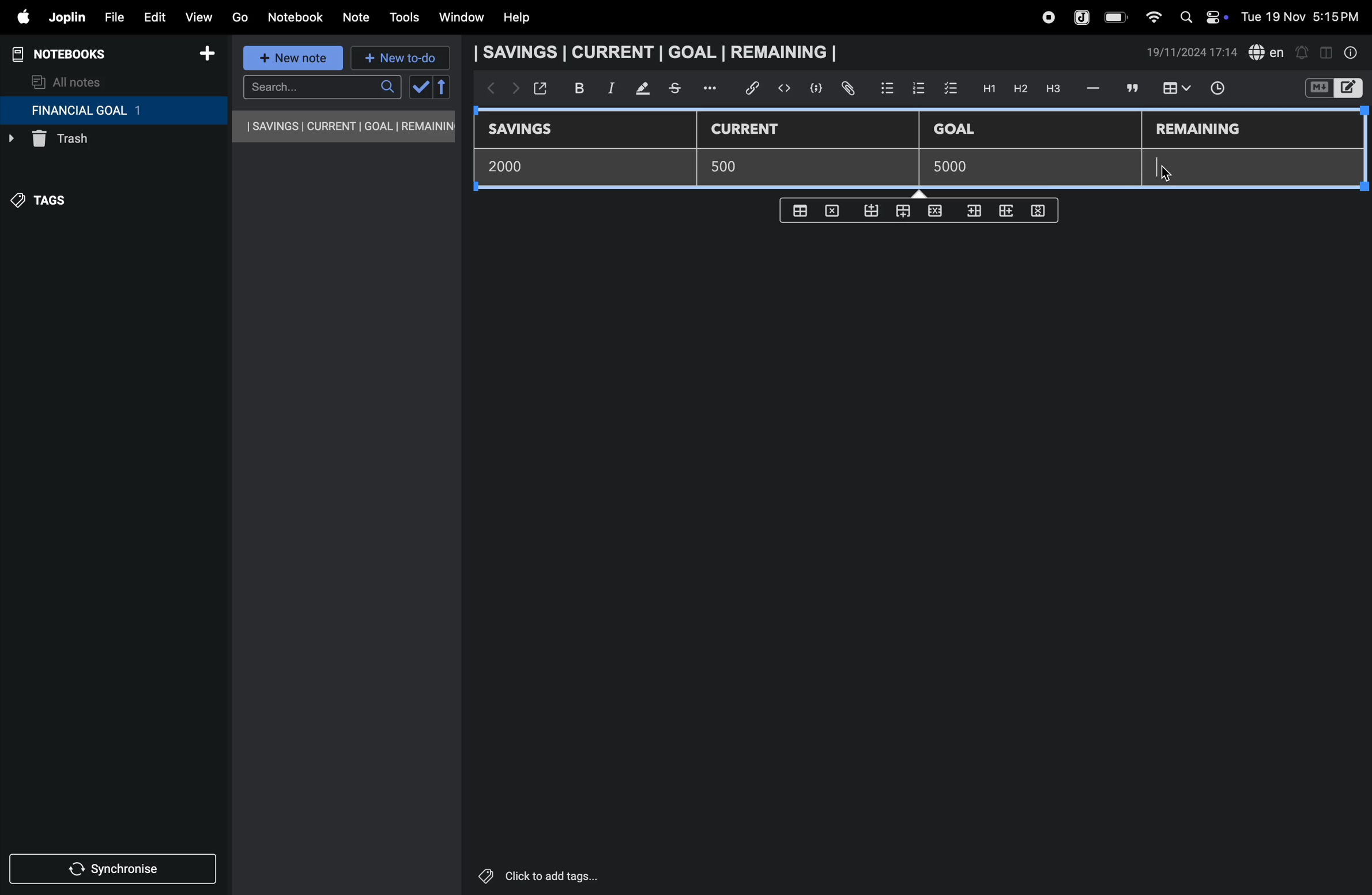 The width and height of the screenshot is (1372, 895). What do you see at coordinates (17, 17) in the screenshot?
I see `apple menu` at bounding box center [17, 17].